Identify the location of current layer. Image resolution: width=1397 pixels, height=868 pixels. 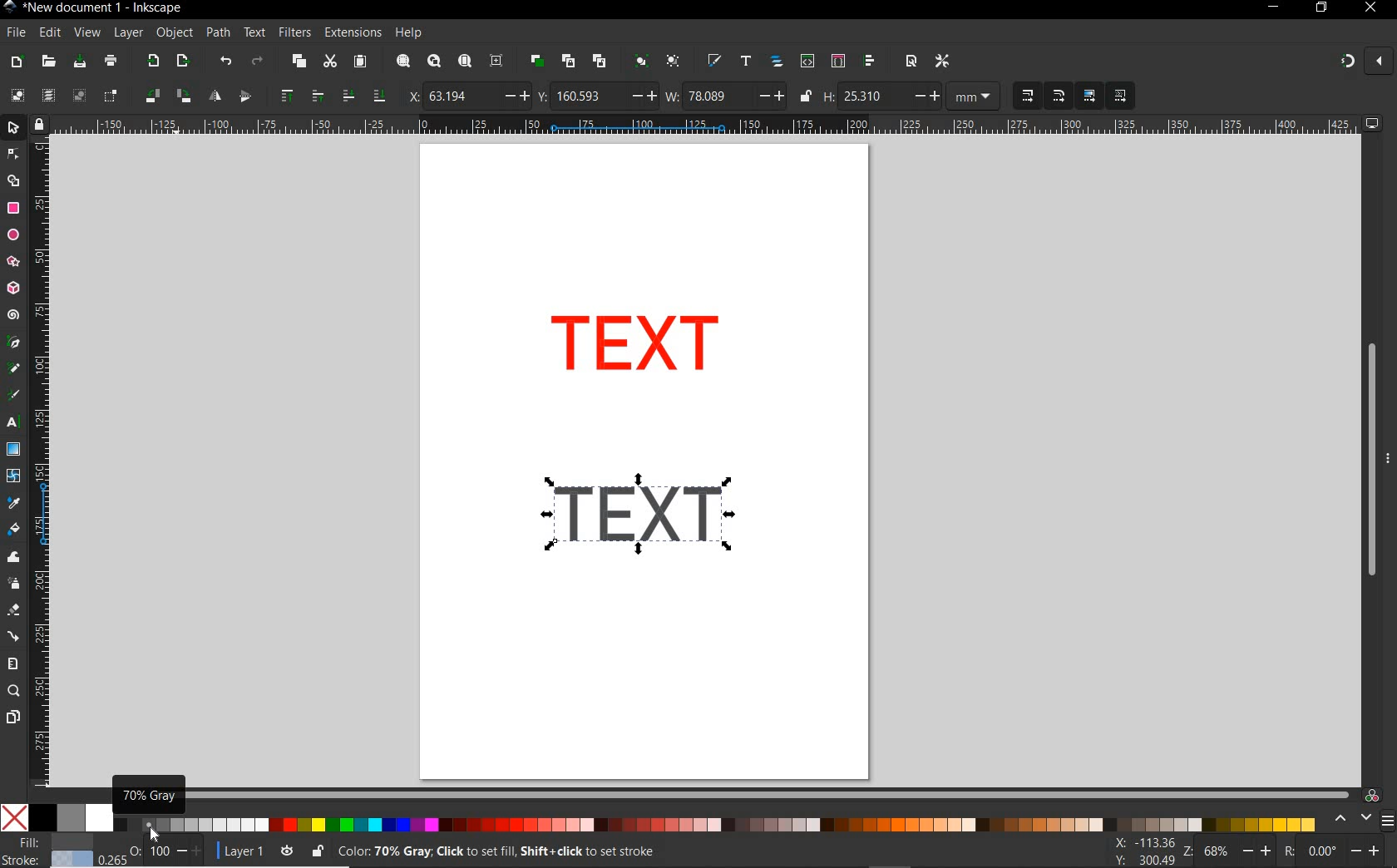
(236, 849).